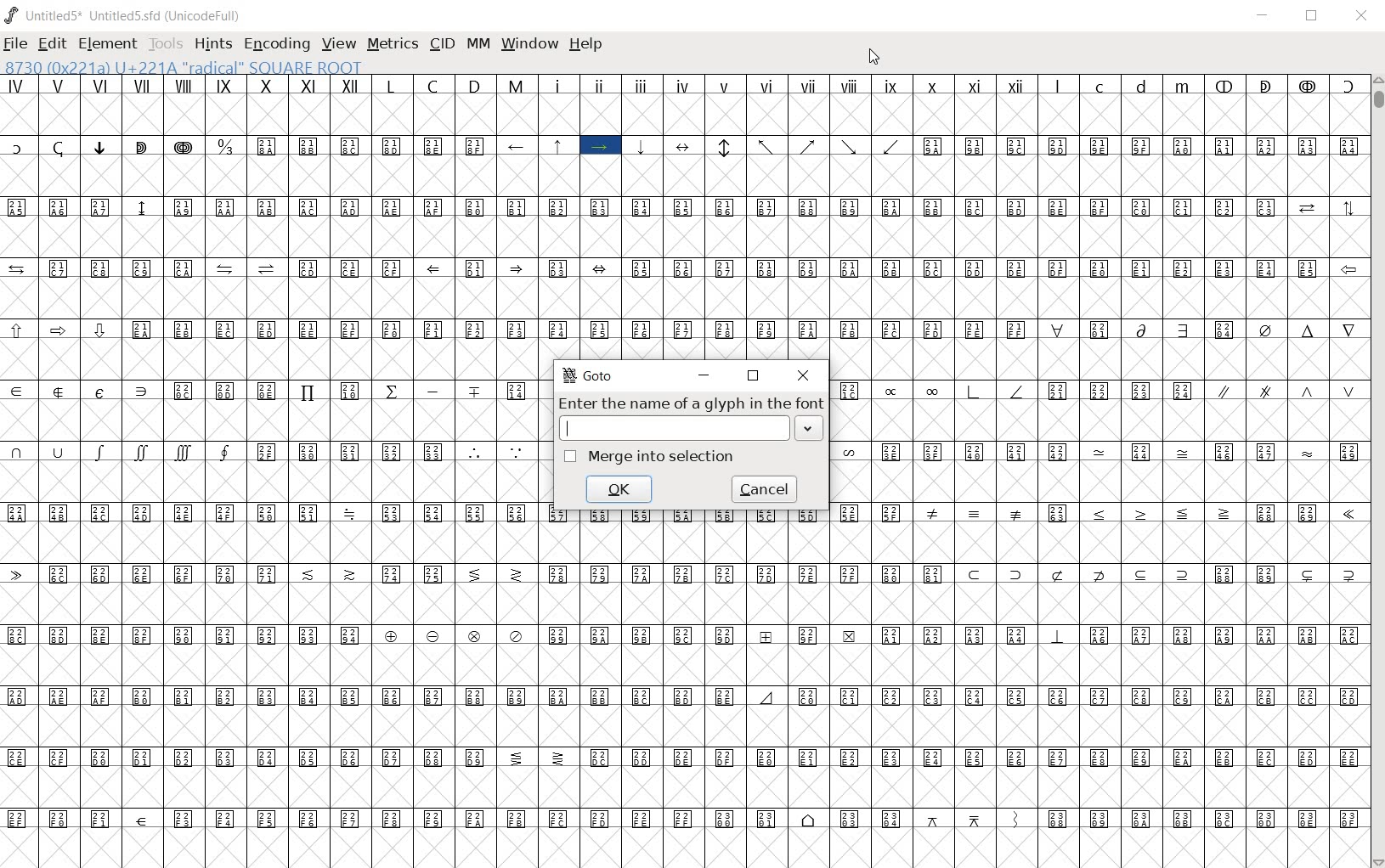 This screenshot has height=868, width=1385. What do you see at coordinates (619, 488) in the screenshot?
I see `OK` at bounding box center [619, 488].